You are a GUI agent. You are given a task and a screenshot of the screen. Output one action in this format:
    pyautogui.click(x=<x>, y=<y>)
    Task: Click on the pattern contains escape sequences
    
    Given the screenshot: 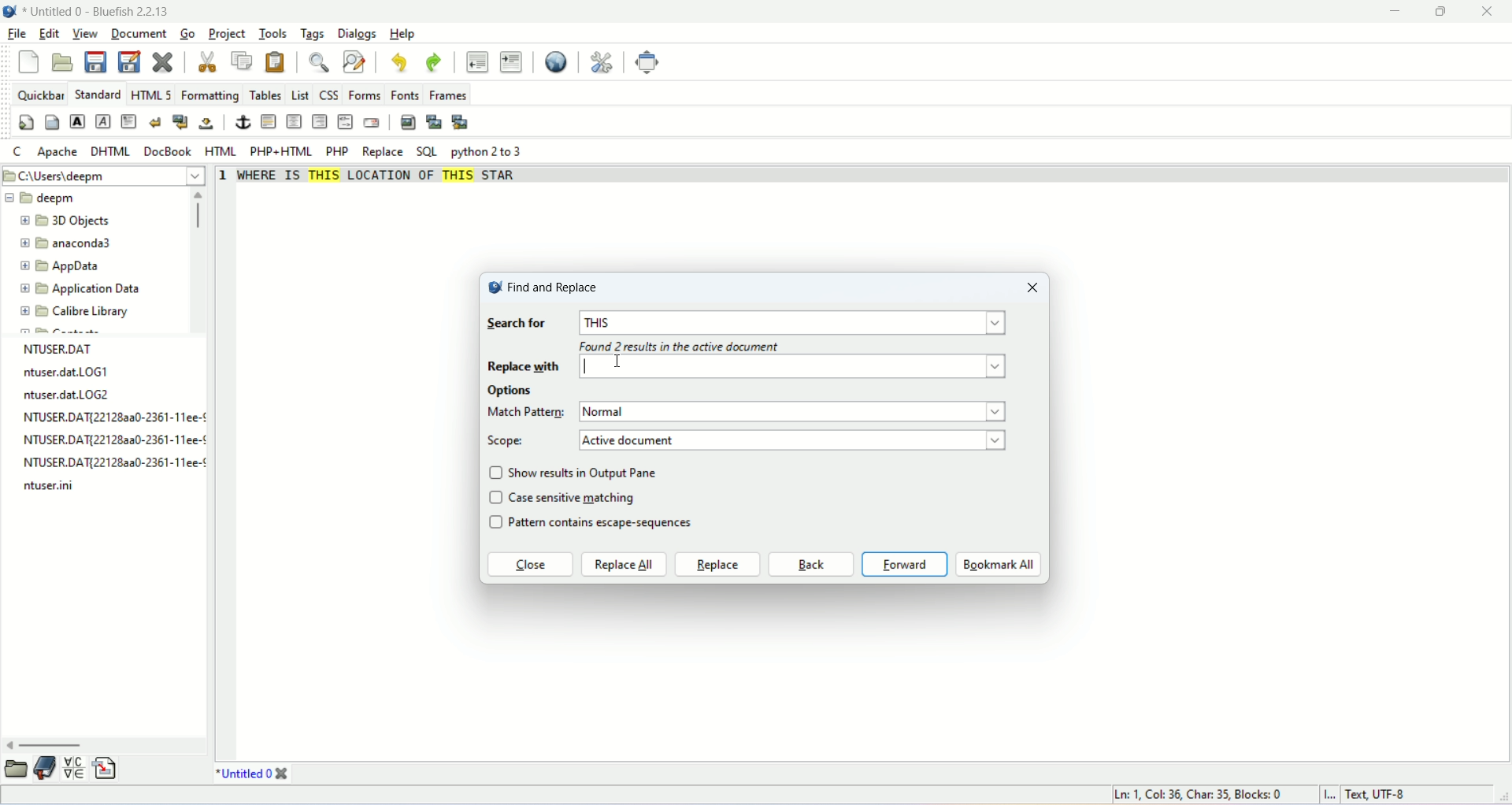 What is the action you would take?
    pyautogui.click(x=612, y=525)
    